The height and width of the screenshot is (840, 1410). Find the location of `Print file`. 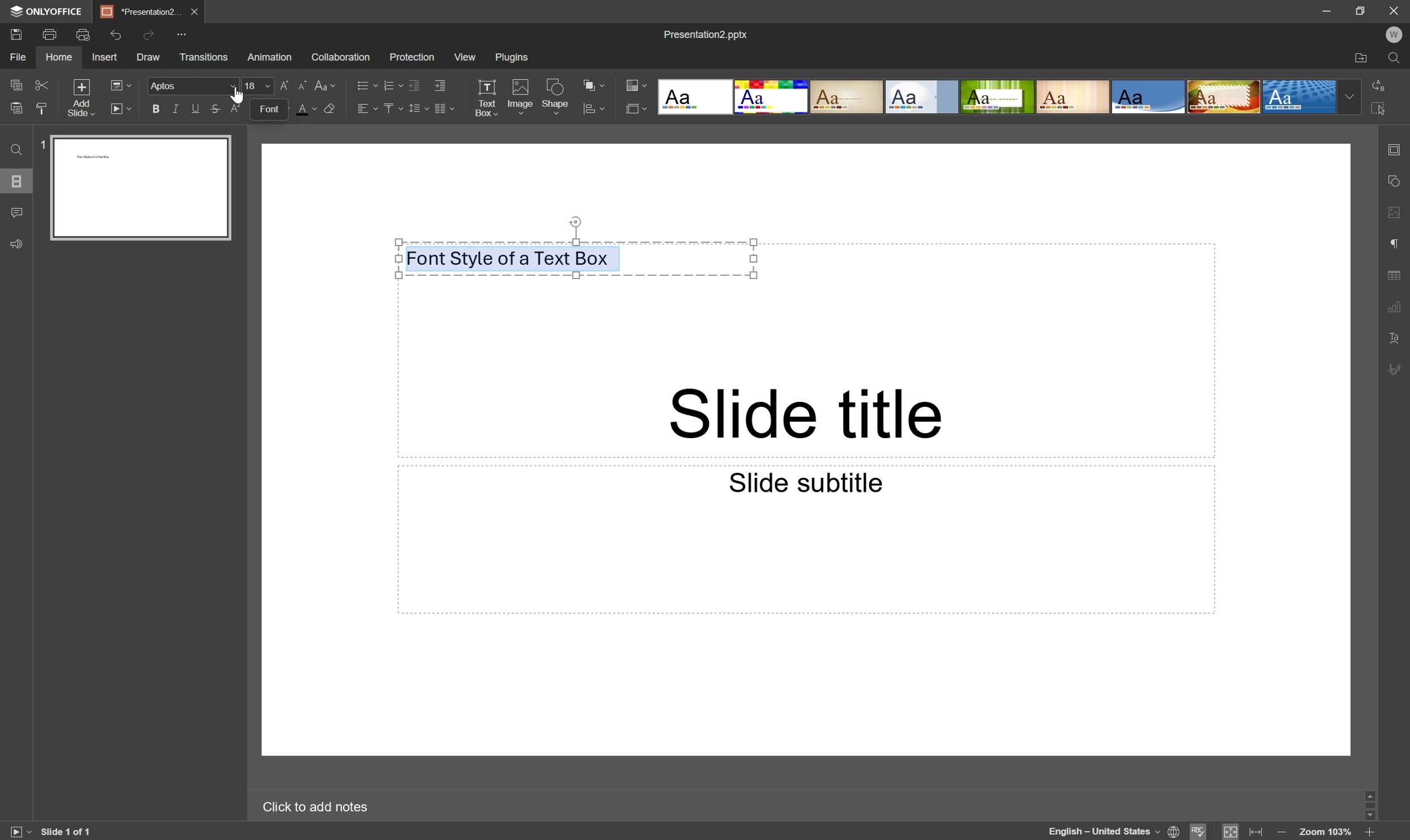

Print file is located at coordinates (49, 33).